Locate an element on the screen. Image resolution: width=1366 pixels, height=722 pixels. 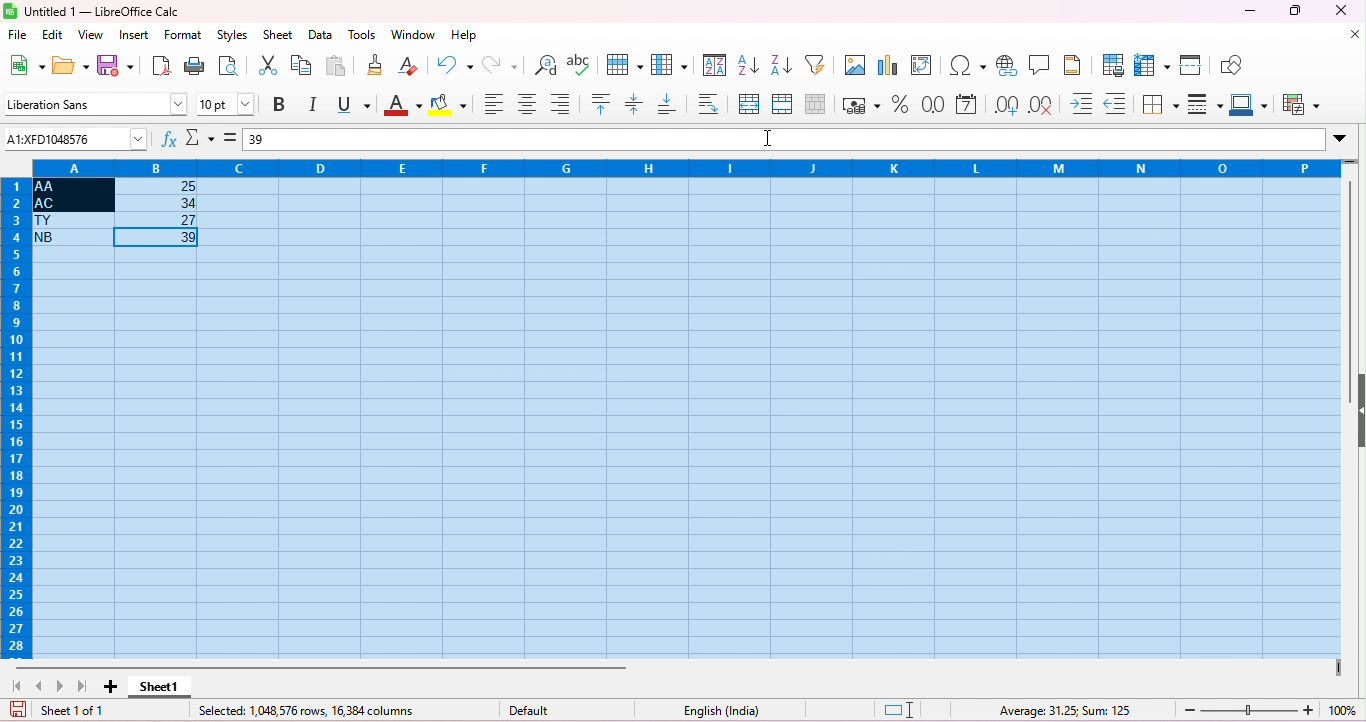
border is located at coordinates (1160, 105).